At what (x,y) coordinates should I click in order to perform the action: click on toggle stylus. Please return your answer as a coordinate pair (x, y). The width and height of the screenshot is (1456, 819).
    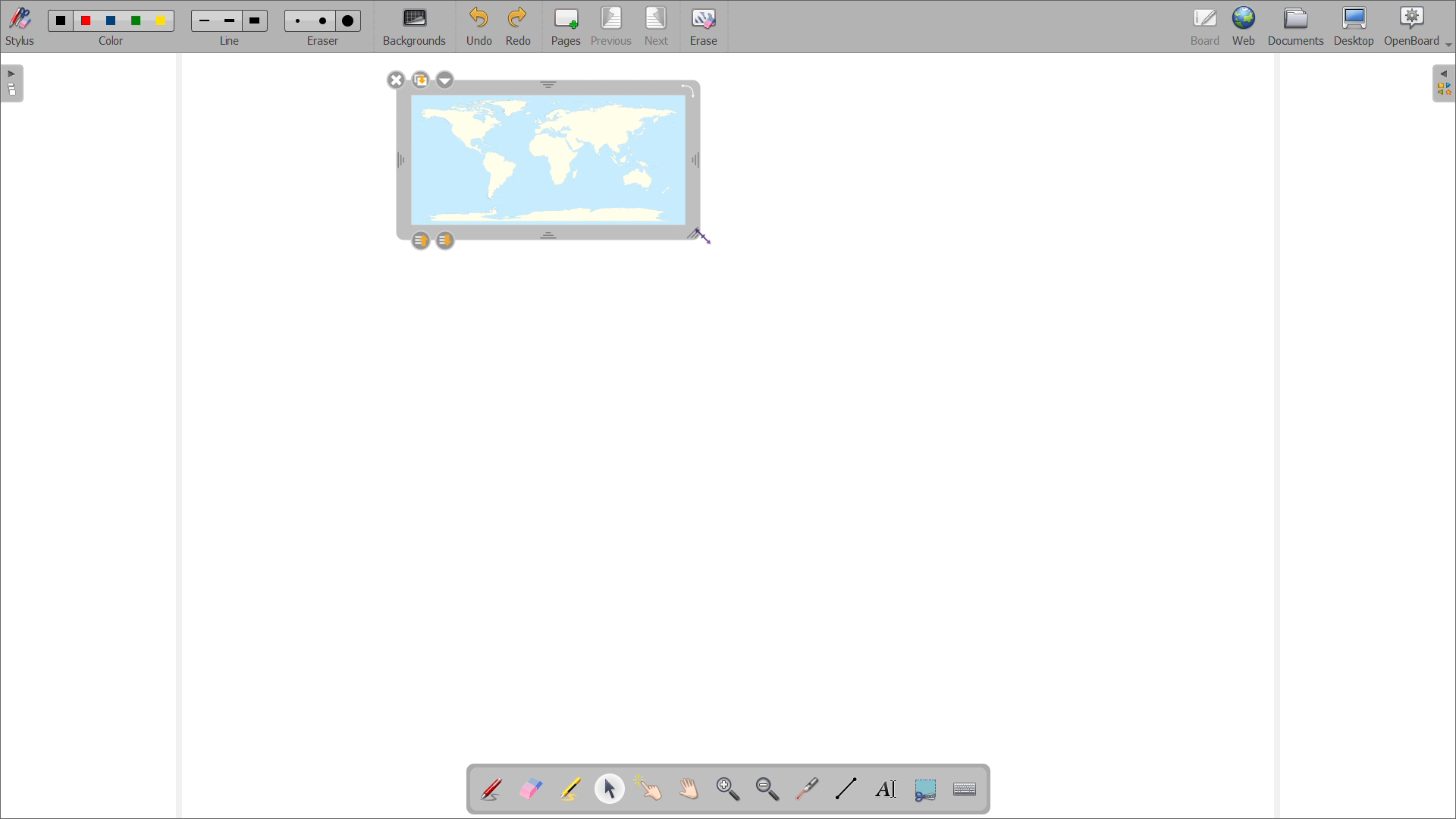
    Looking at the image, I should click on (20, 27).